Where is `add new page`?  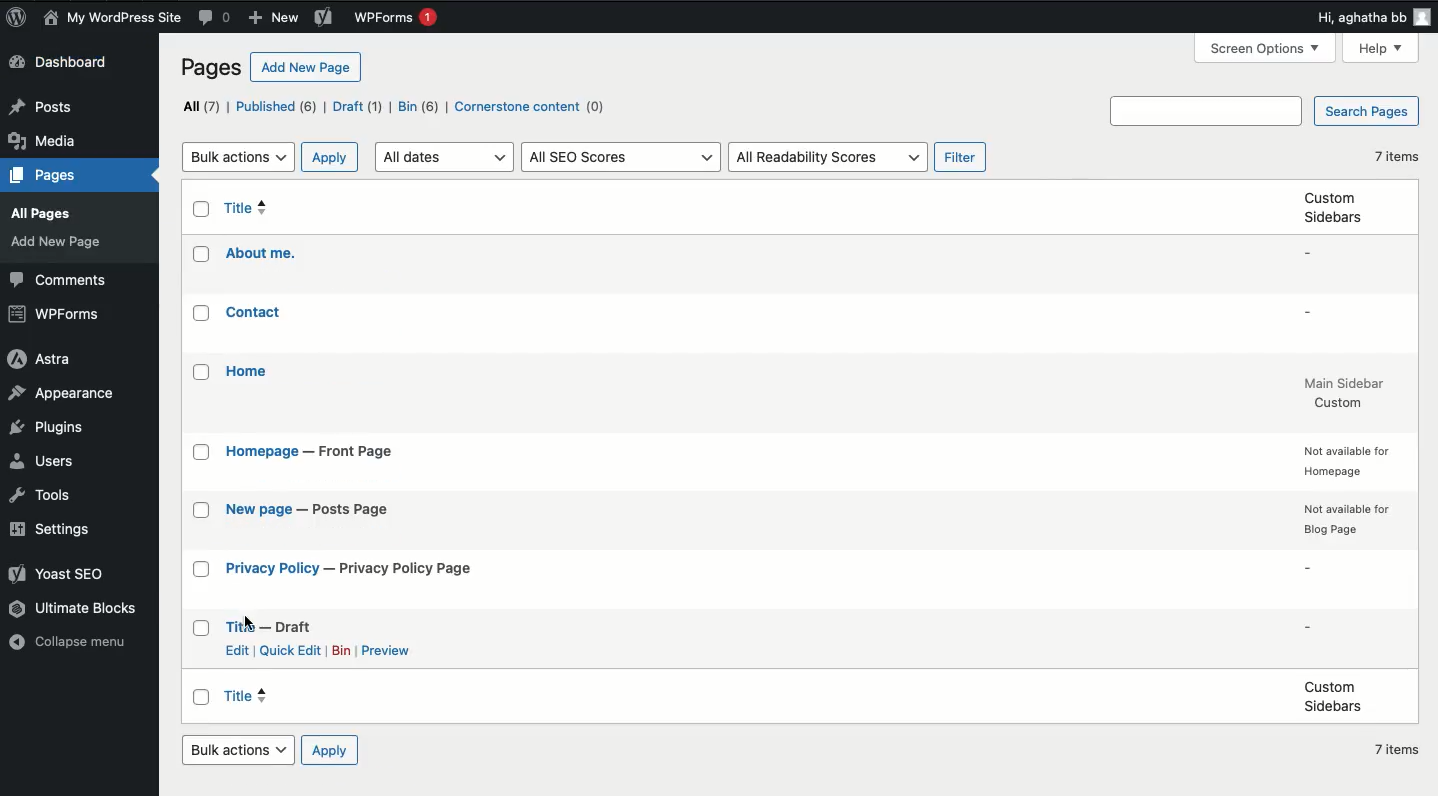 add new page is located at coordinates (57, 241).